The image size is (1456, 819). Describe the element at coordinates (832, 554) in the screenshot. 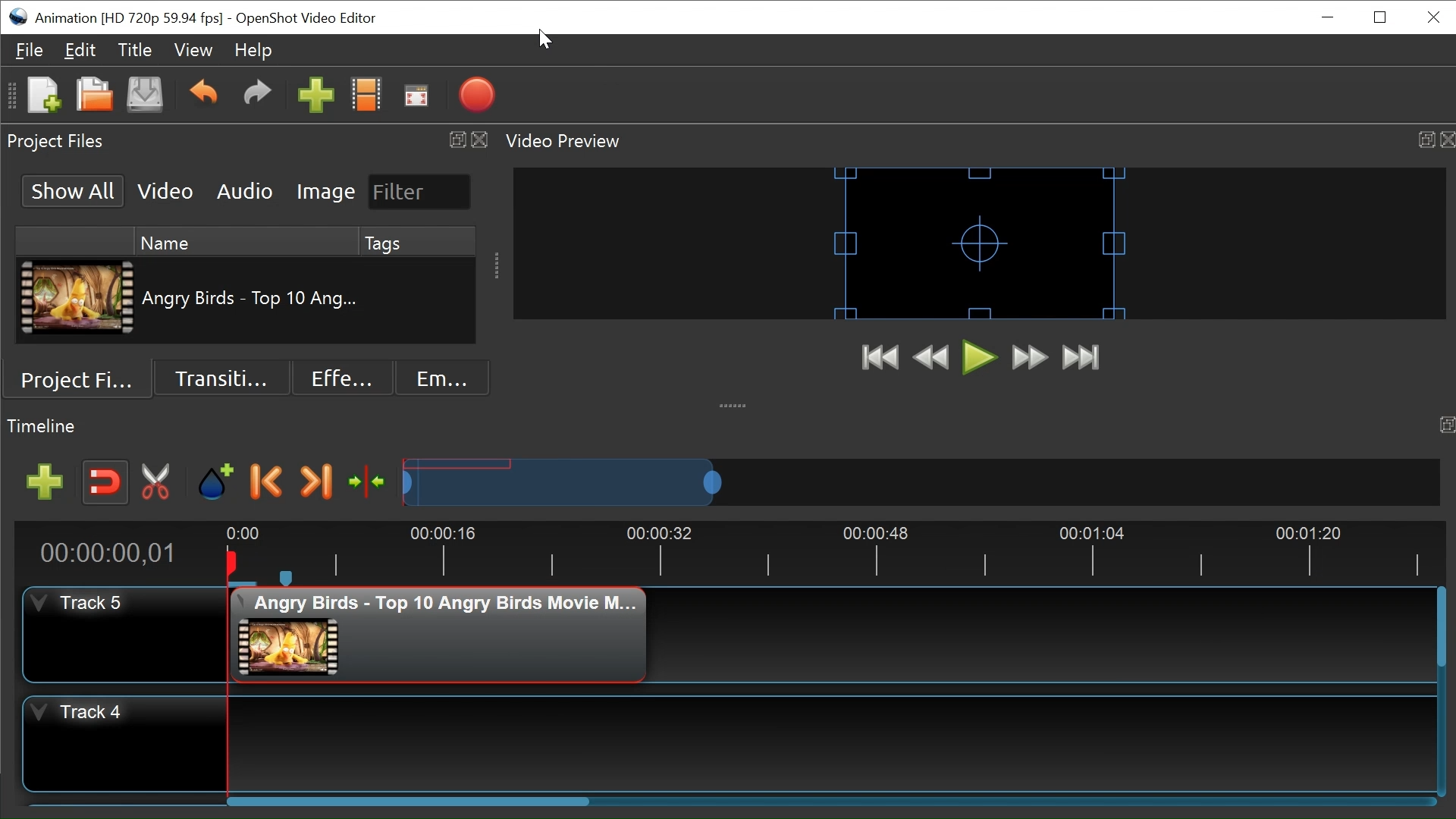

I see `Timeline` at that location.